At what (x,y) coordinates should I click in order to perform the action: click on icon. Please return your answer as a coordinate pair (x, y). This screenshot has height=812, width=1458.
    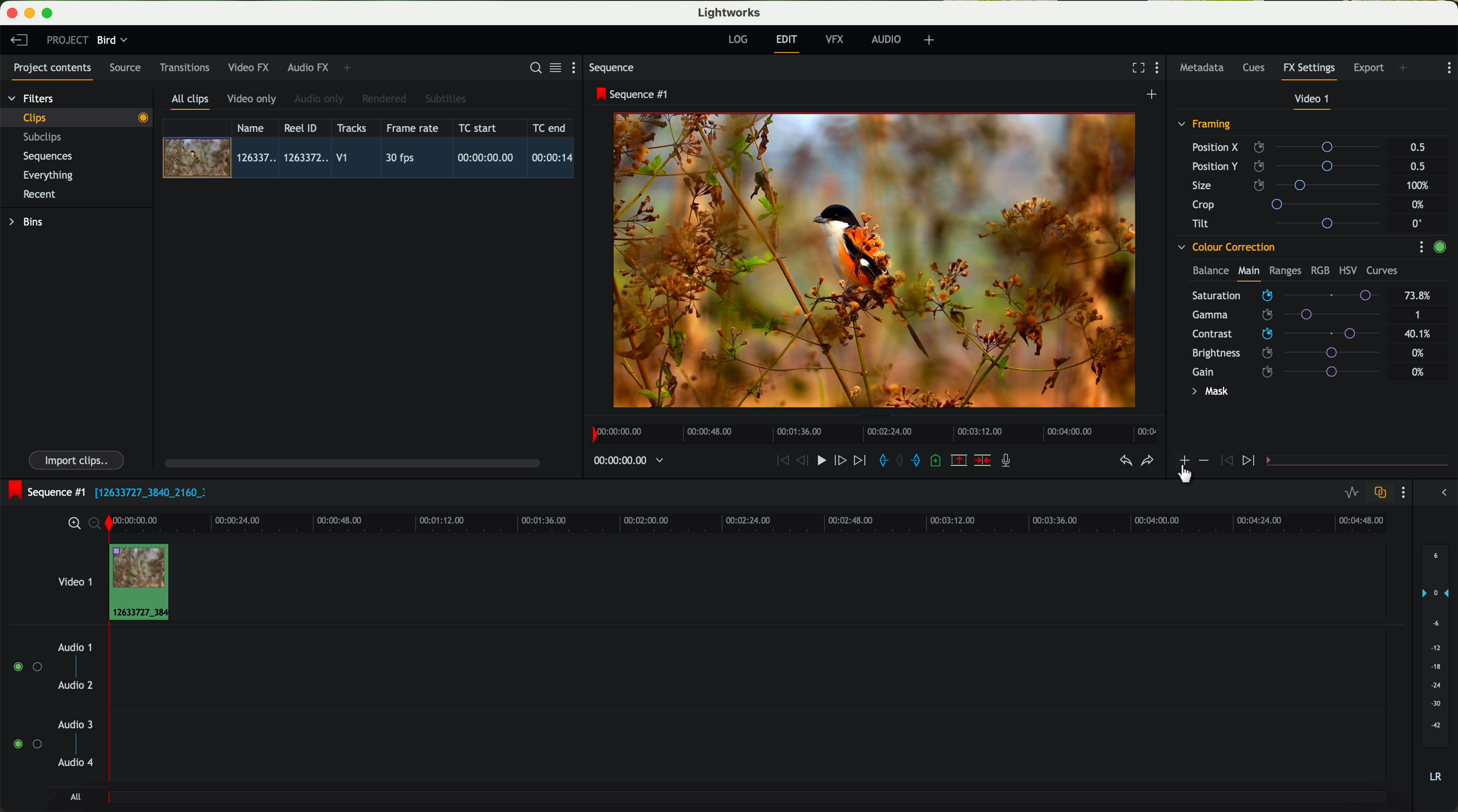
    Looking at the image, I should click on (1250, 461).